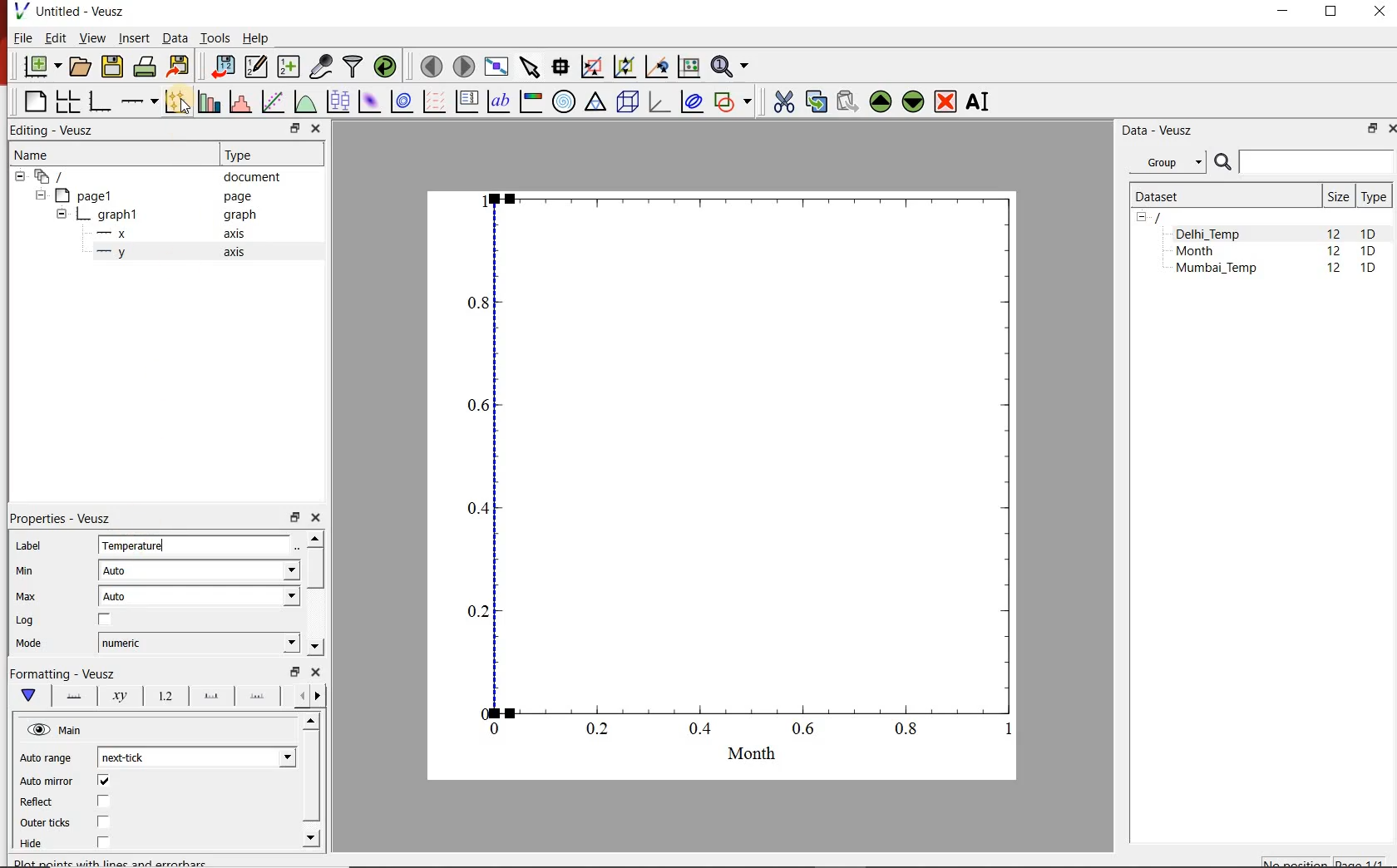 Image resolution: width=1397 pixels, height=868 pixels. I want to click on Page1, so click(145, 195).